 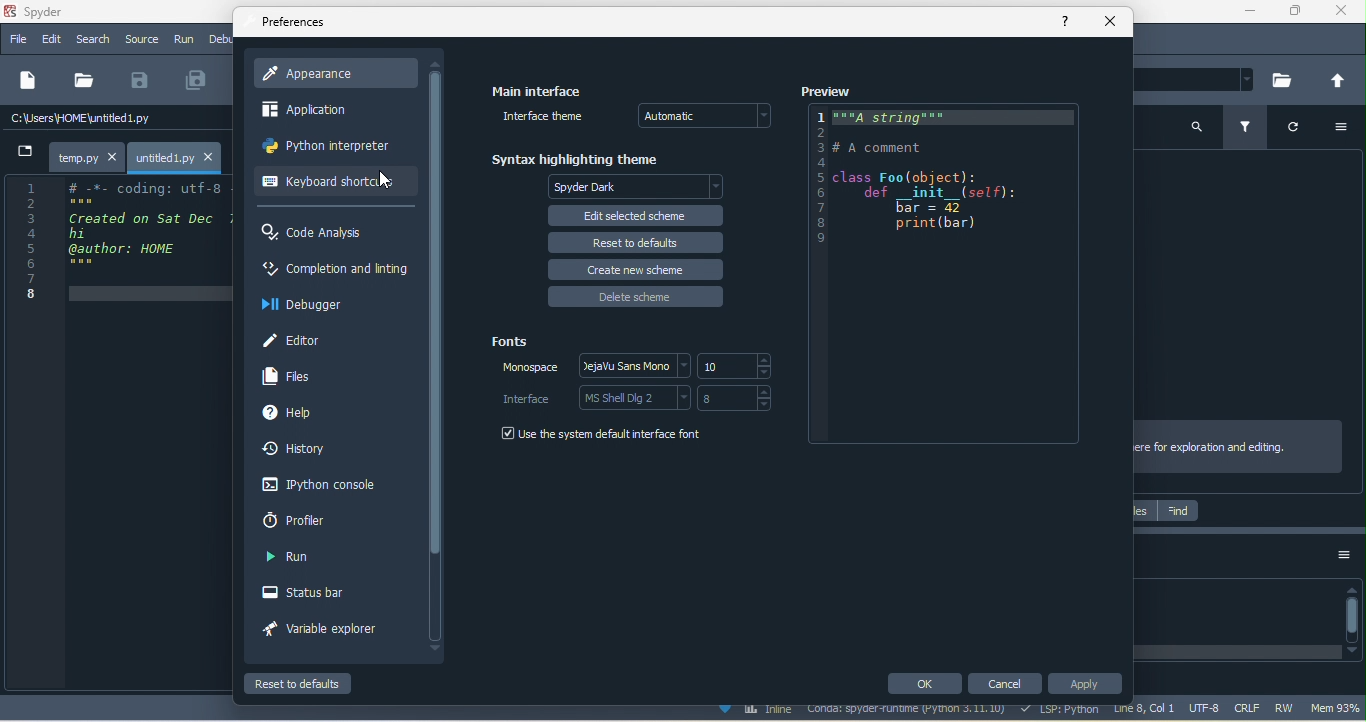 I want to click on code analysis, so click(x=323, y=234).